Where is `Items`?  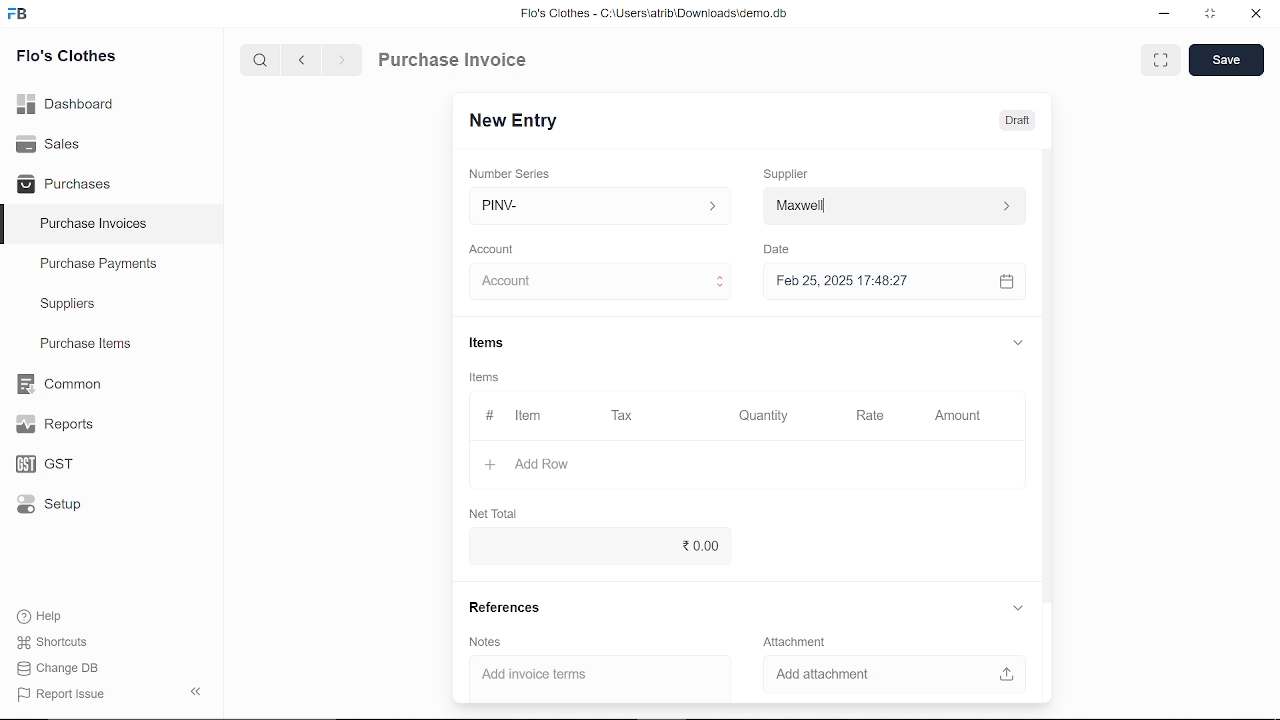
Items is located at coordinates (490, 379).